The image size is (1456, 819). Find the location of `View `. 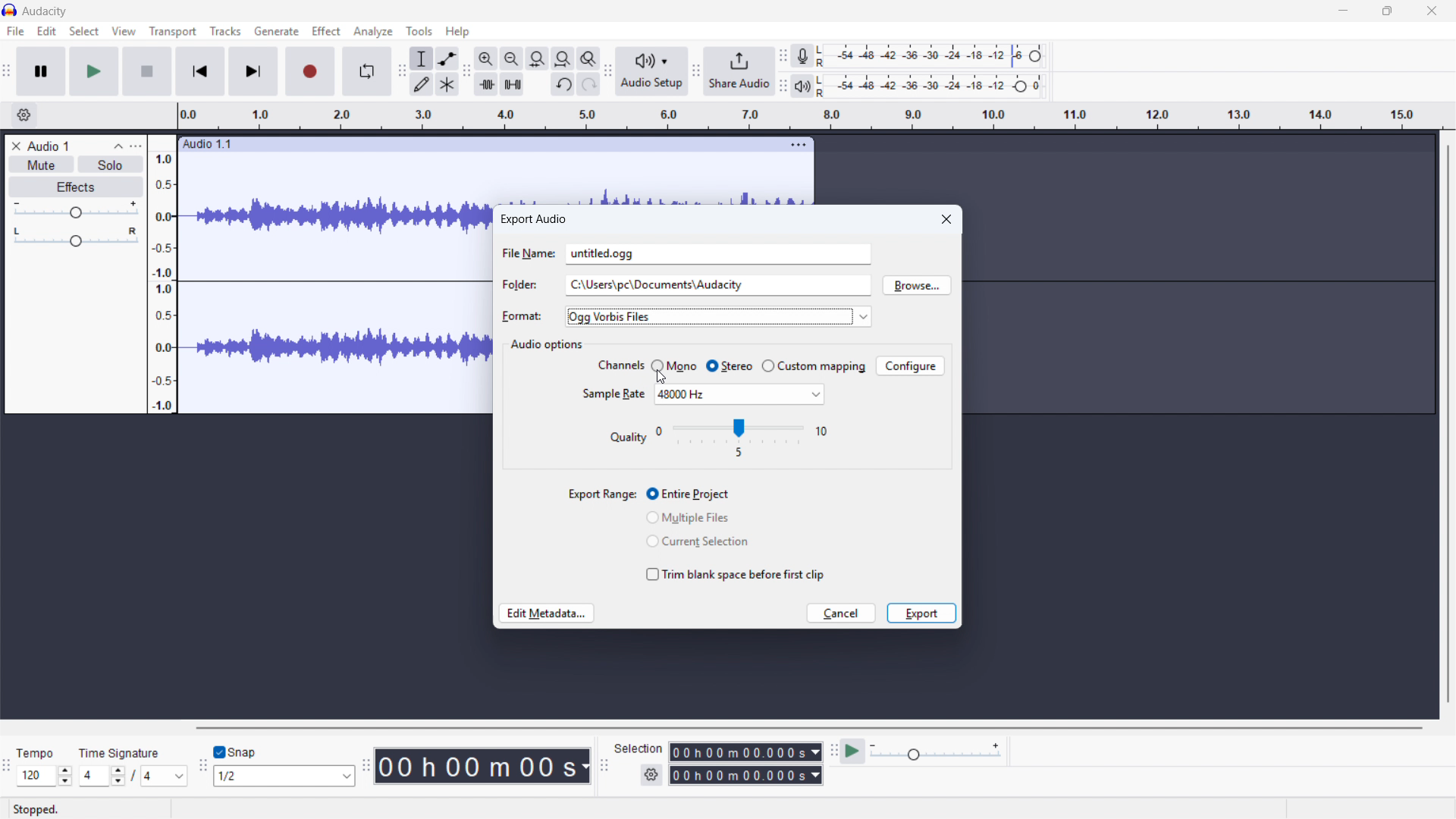

View  is located at coordinates (124, 32).